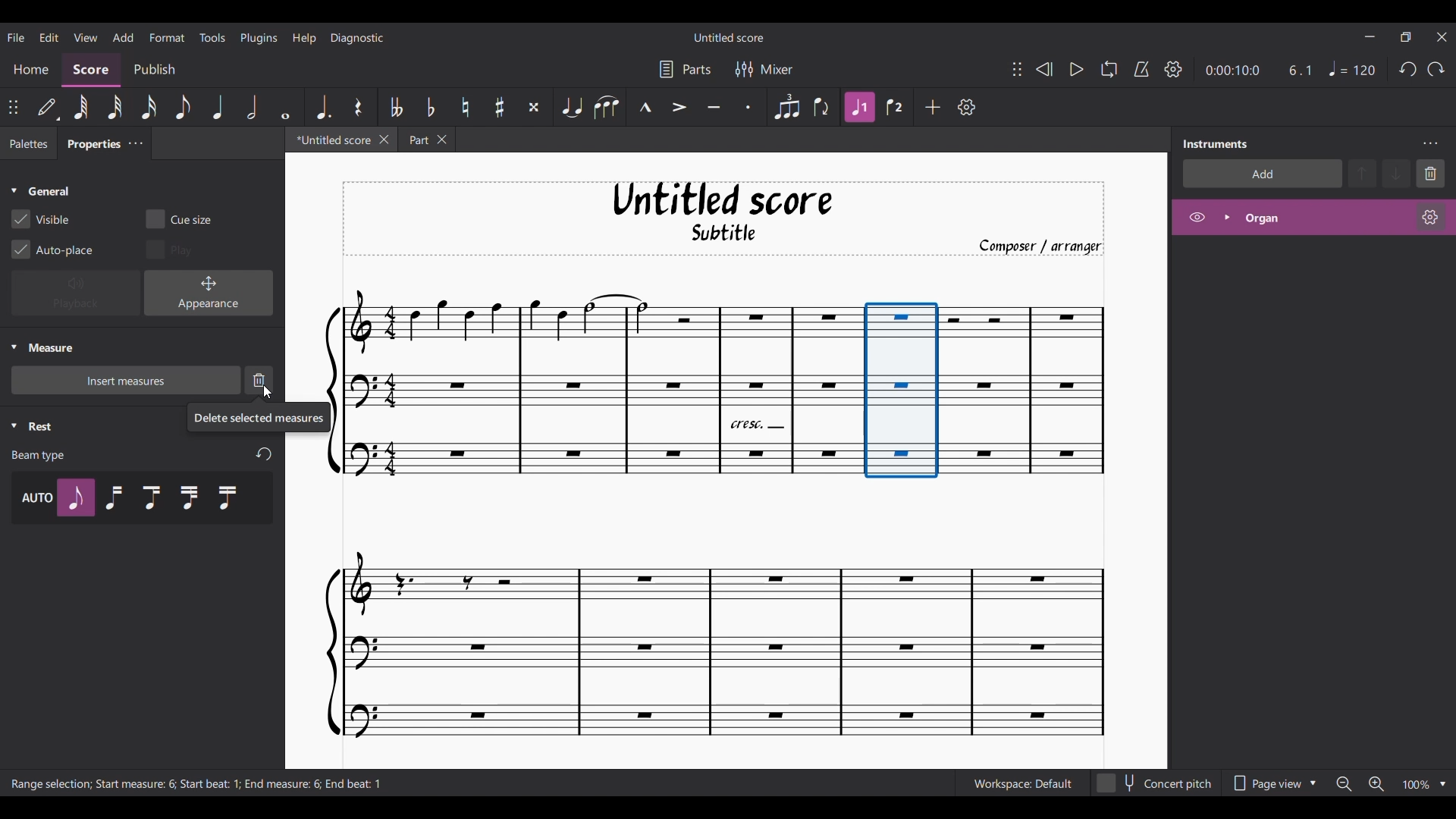 This screenshot has height=819, width=1456. Describe the element at coordinates (42, 347) in the screenshot. I see `Collapse Measure` at that location.